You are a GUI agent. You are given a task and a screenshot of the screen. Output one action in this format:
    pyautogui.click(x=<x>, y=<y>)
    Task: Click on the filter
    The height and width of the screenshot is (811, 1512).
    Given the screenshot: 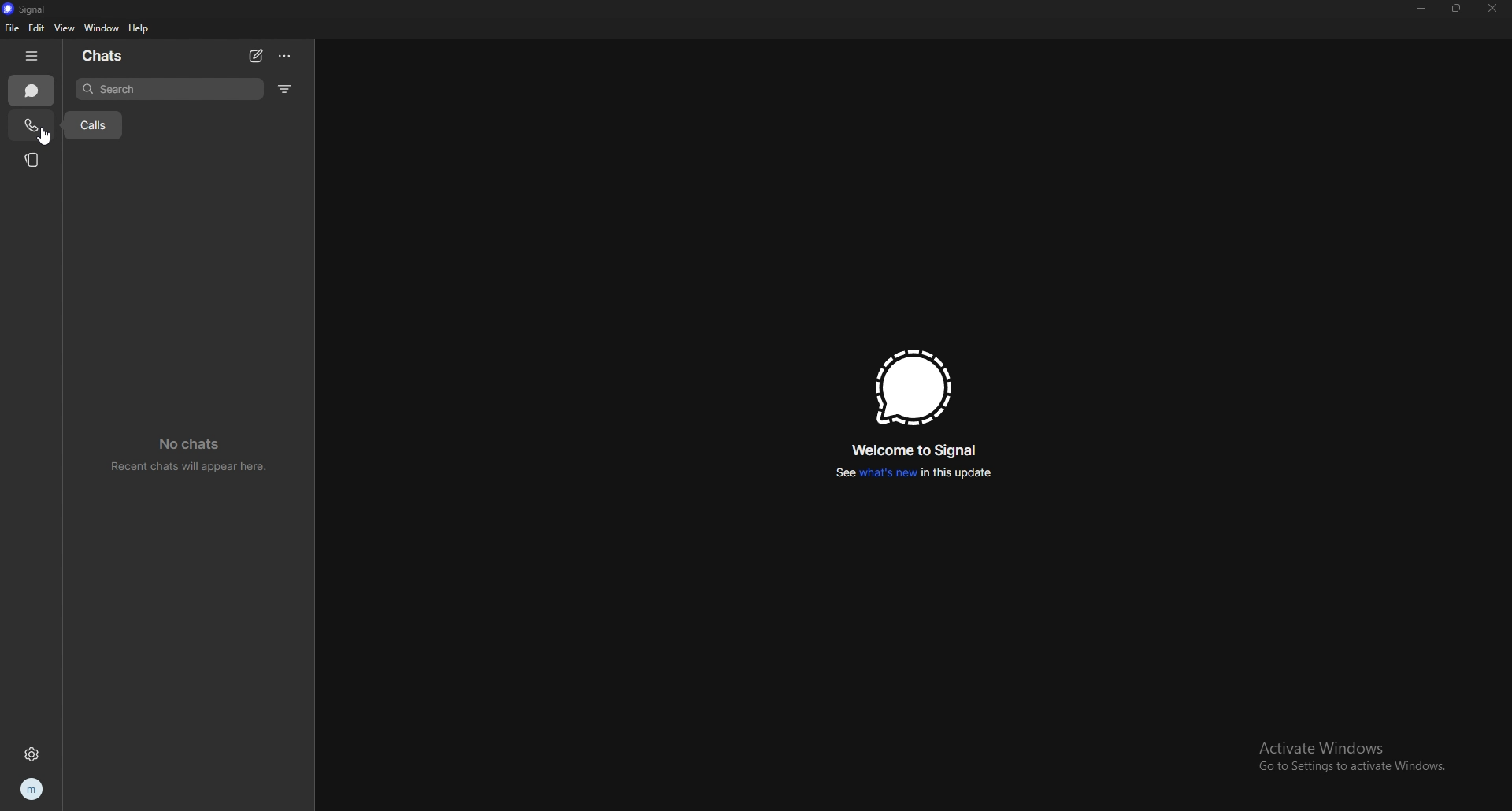 What is the action you would take?
    pyautogui.click(x=288, y=88)
    